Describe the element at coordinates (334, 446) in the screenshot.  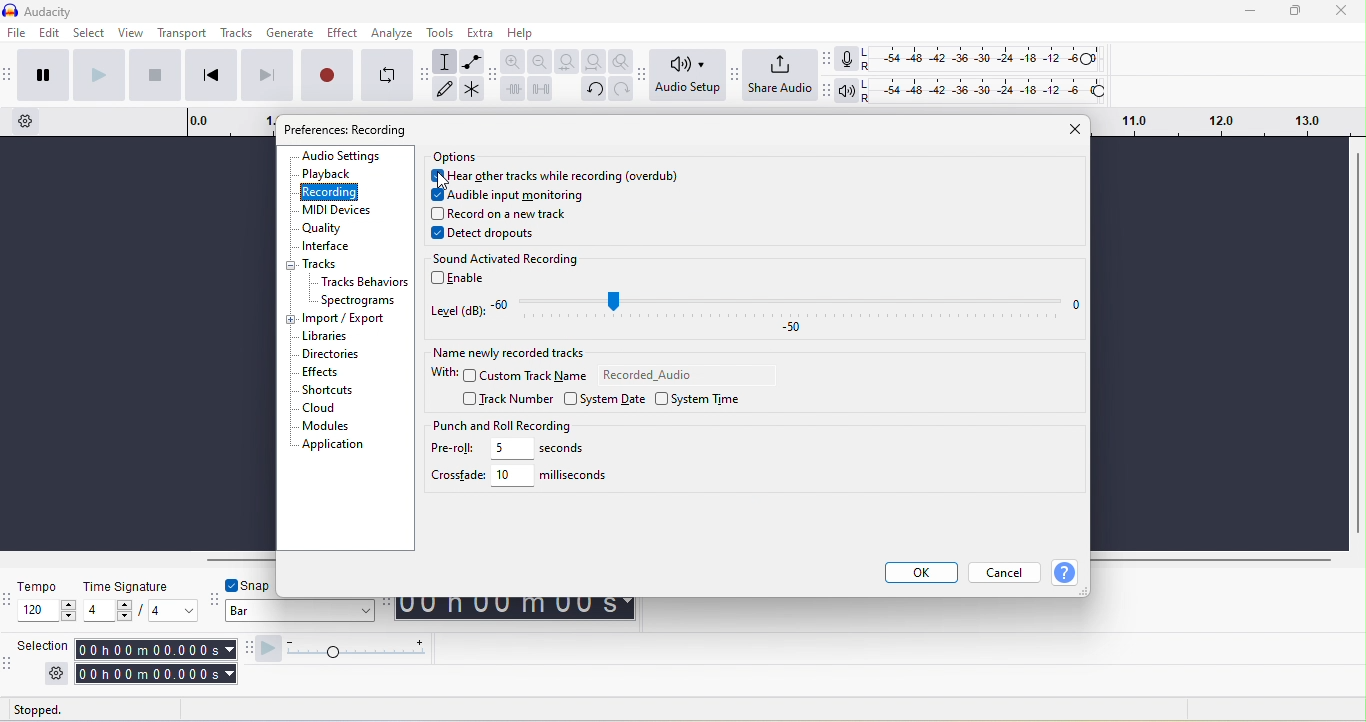
I see `application` at that location.